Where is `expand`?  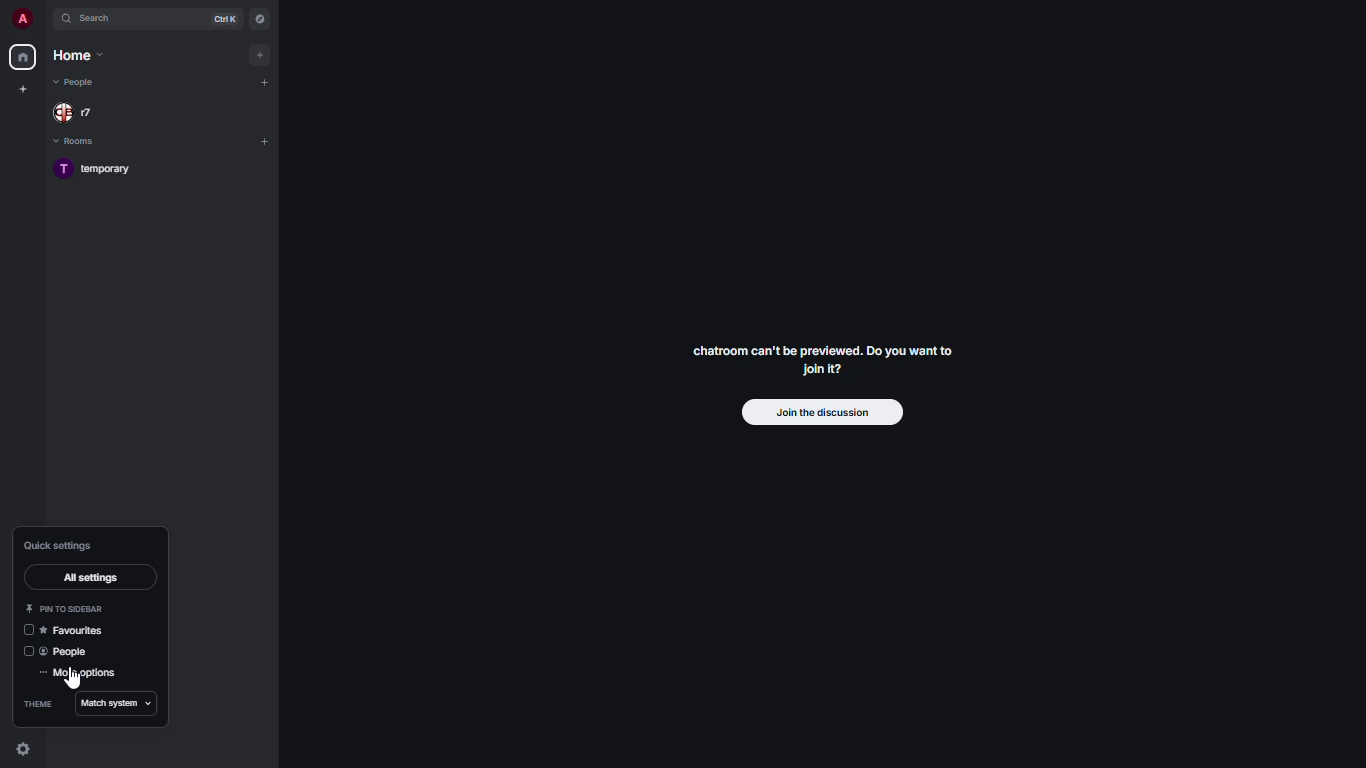
expand is located at coordinates (47, 18).